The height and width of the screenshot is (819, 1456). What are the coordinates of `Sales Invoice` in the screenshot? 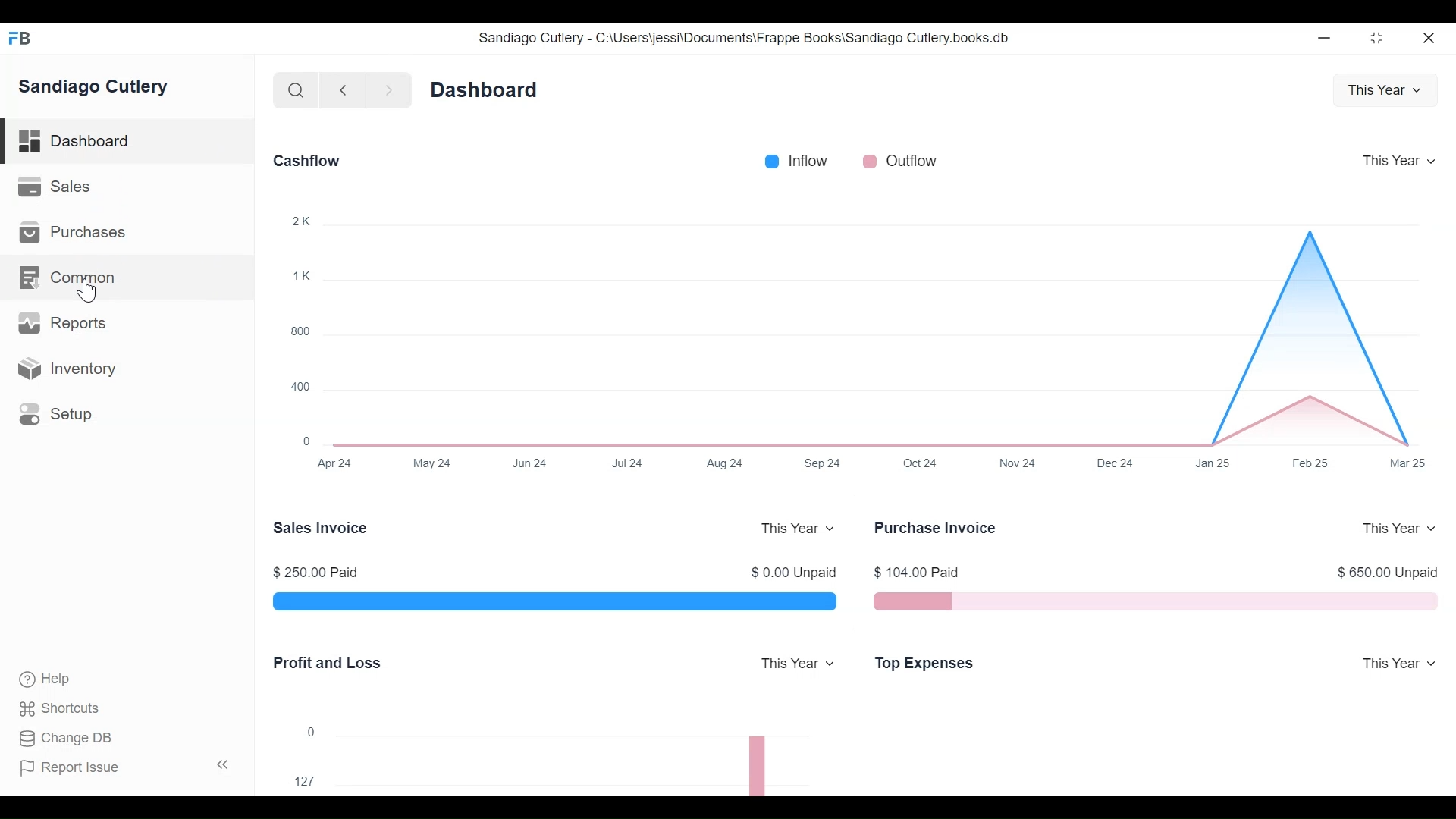 It's located at (323, 527).